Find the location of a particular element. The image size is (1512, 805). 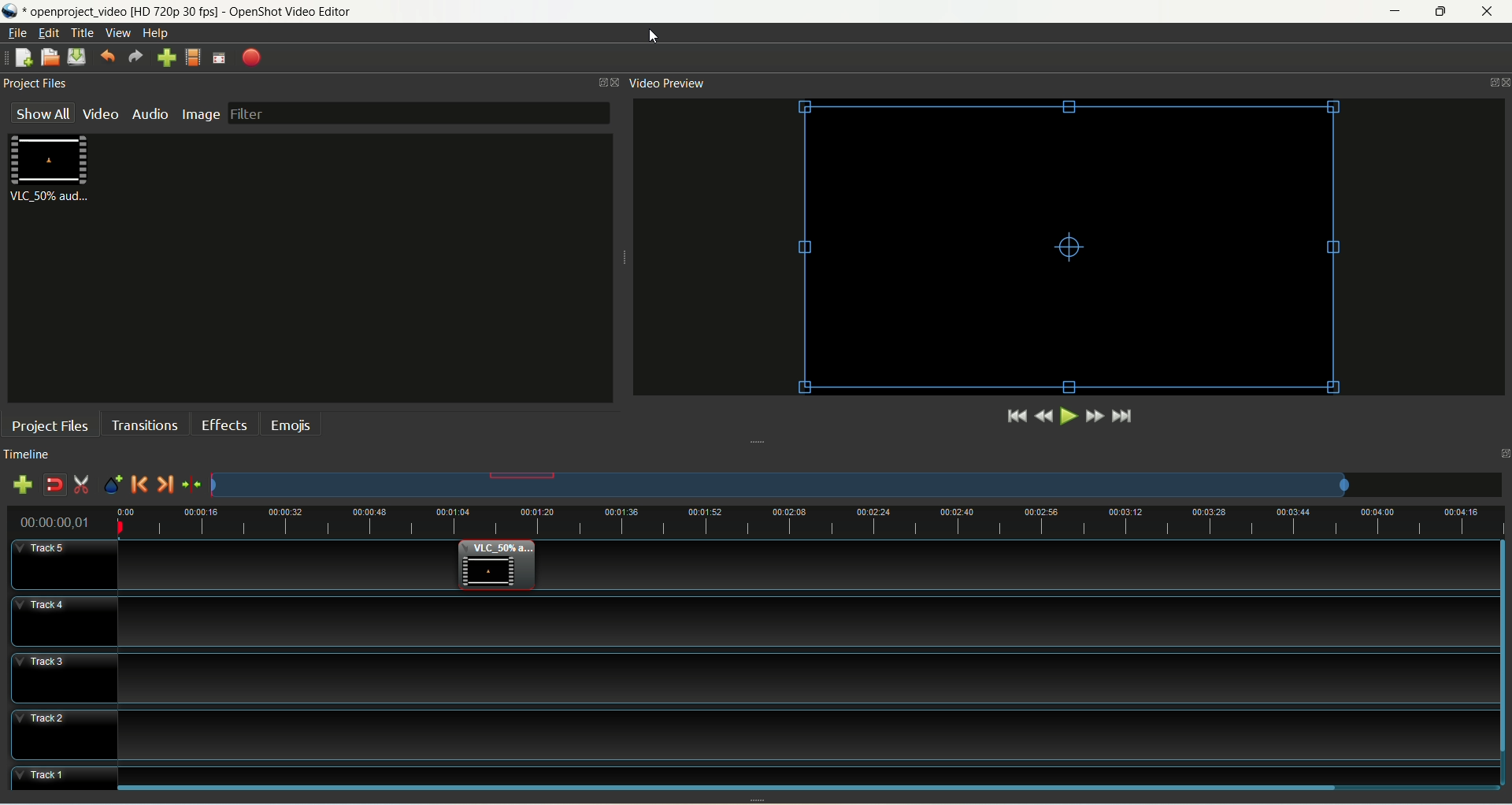

Panel control menu is located at coordinates (1494, 83).